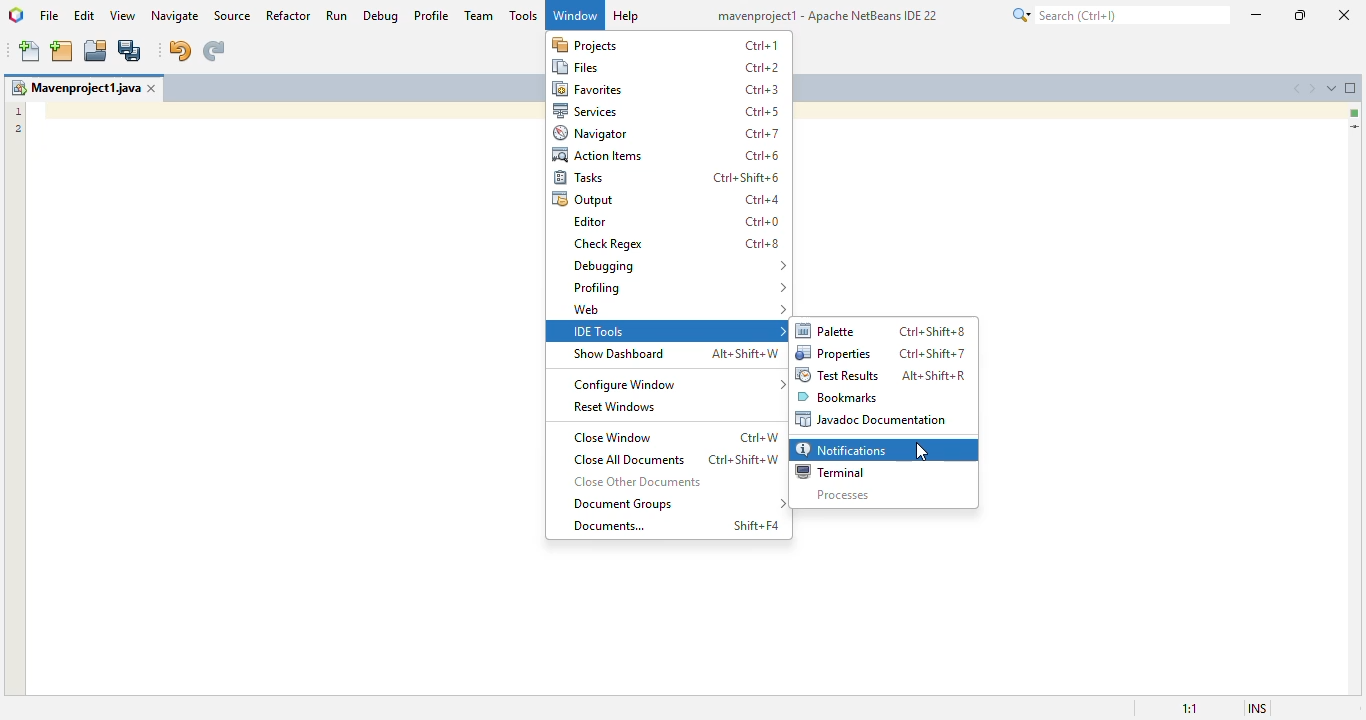 Image resolution: width=1366 pixels, height=720 pixels. Describe the element at coordinates (588, 221) in the screenshot. I see `editor` at that location.